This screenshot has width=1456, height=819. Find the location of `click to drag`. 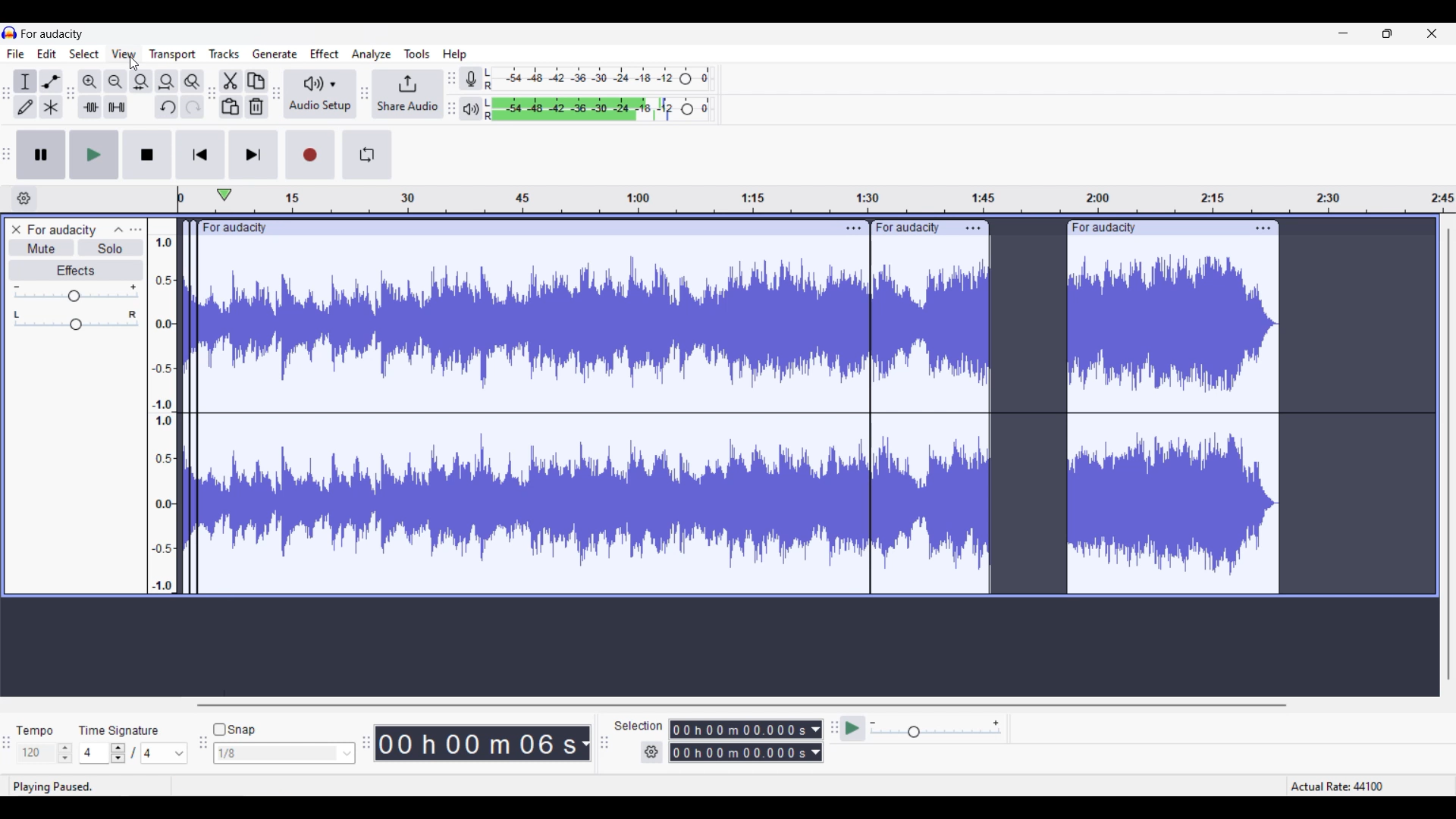

click to drag is located at coordinates (507, 227).